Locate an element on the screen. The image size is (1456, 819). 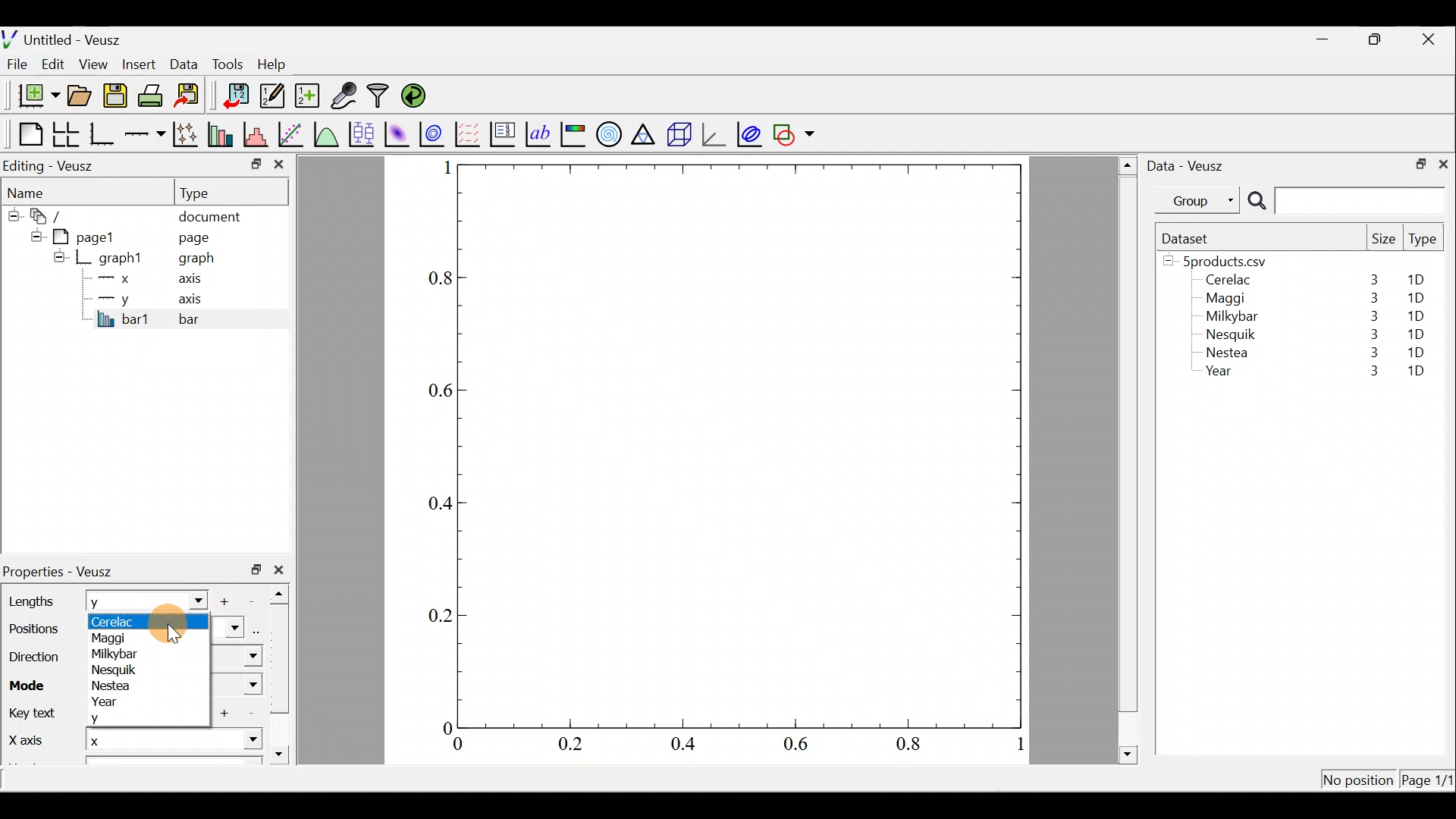
Length dropdown is located at coordinates (191, 600).